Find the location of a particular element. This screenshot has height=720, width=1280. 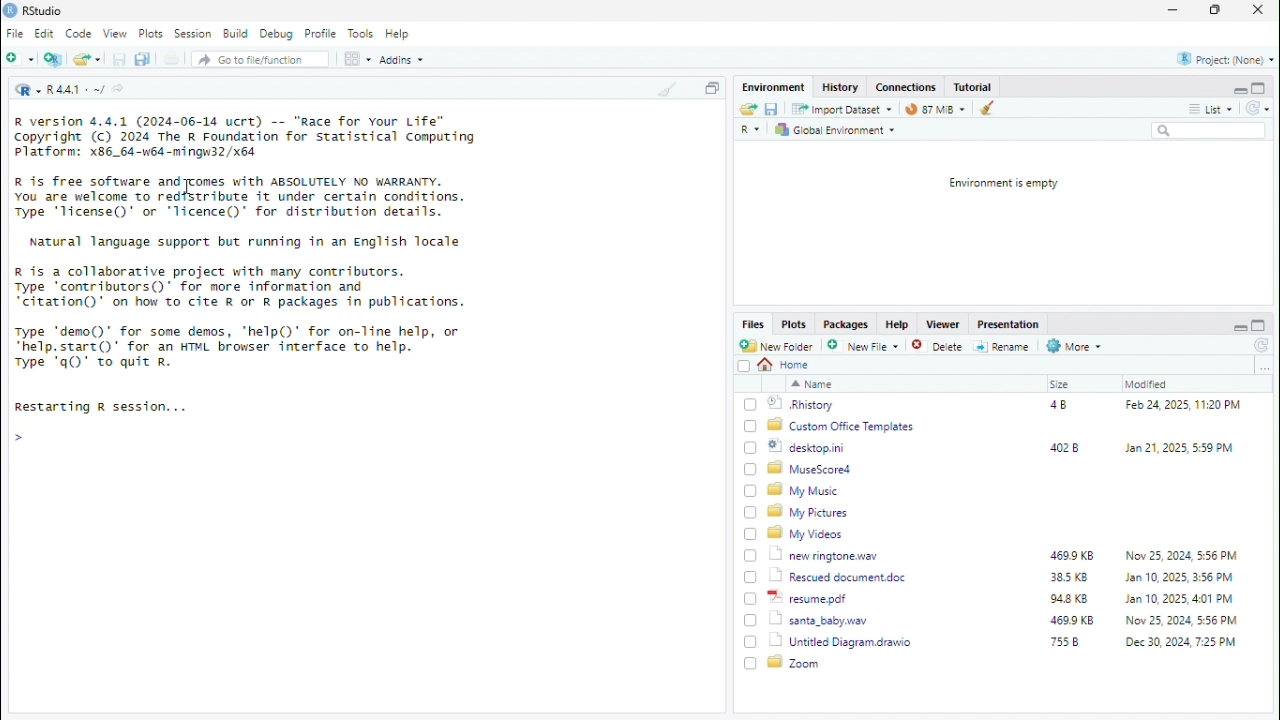

Global Environment is located at coordinates (836, 130).